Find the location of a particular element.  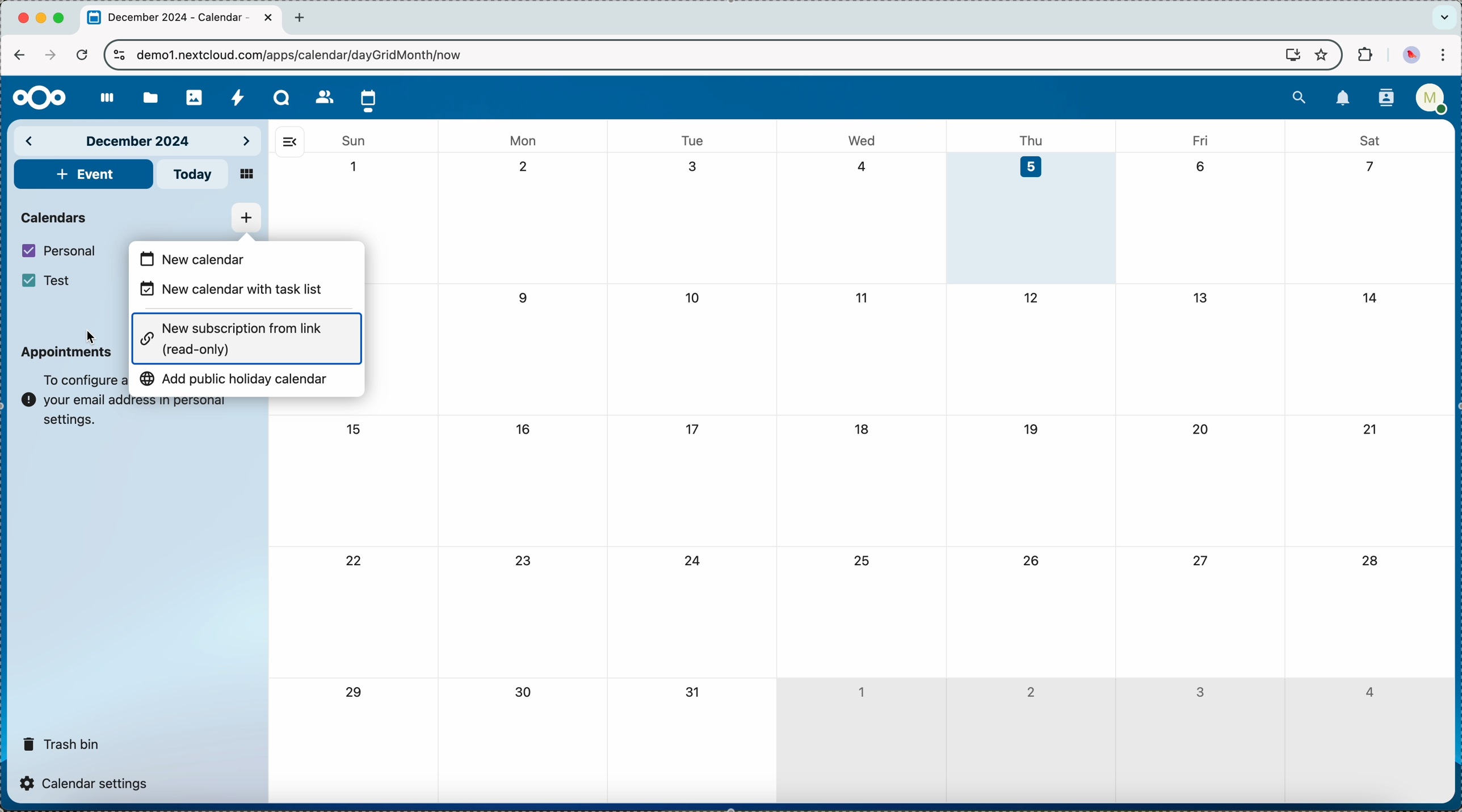

1 is located at coordinates (355, 167).